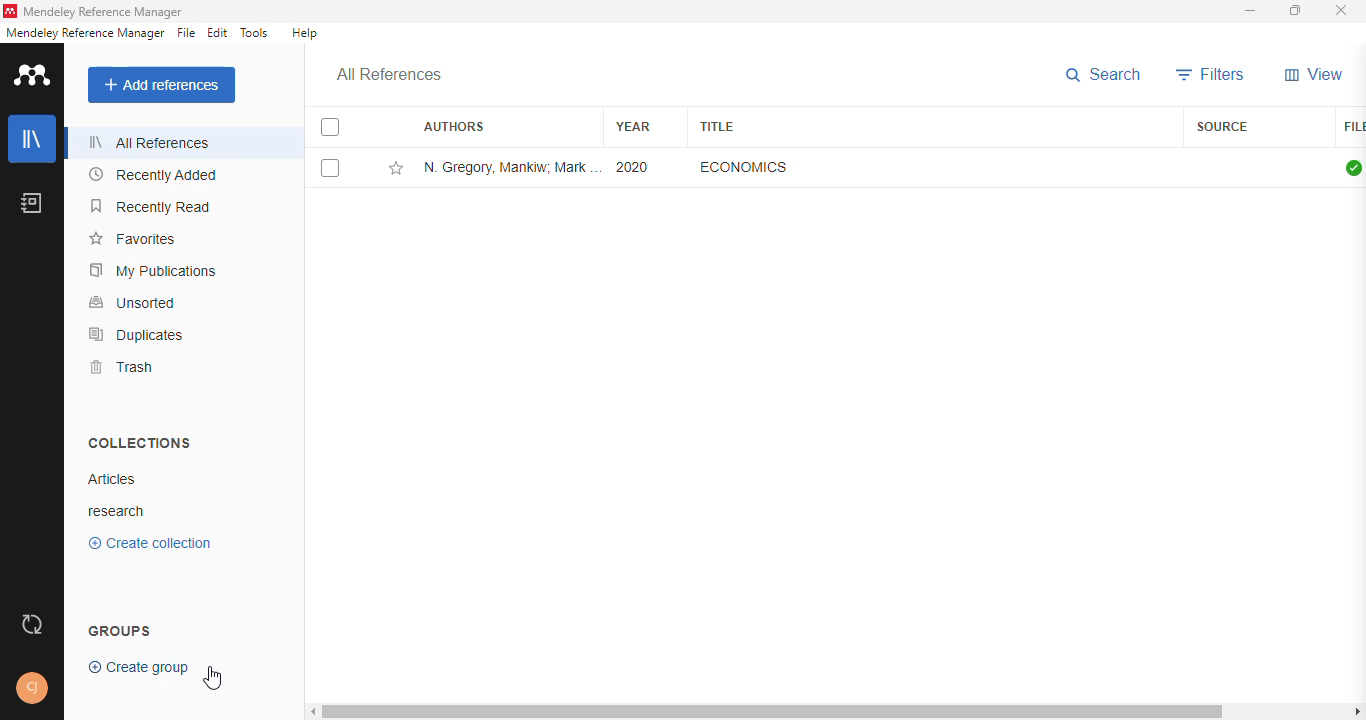 The image size is (1366, 720). What do you see at coordinates (513, 167) in the screenshot?
I see `N. Gregory Mankiw, Mark P. Taylor` at bounding box center [513, 167].